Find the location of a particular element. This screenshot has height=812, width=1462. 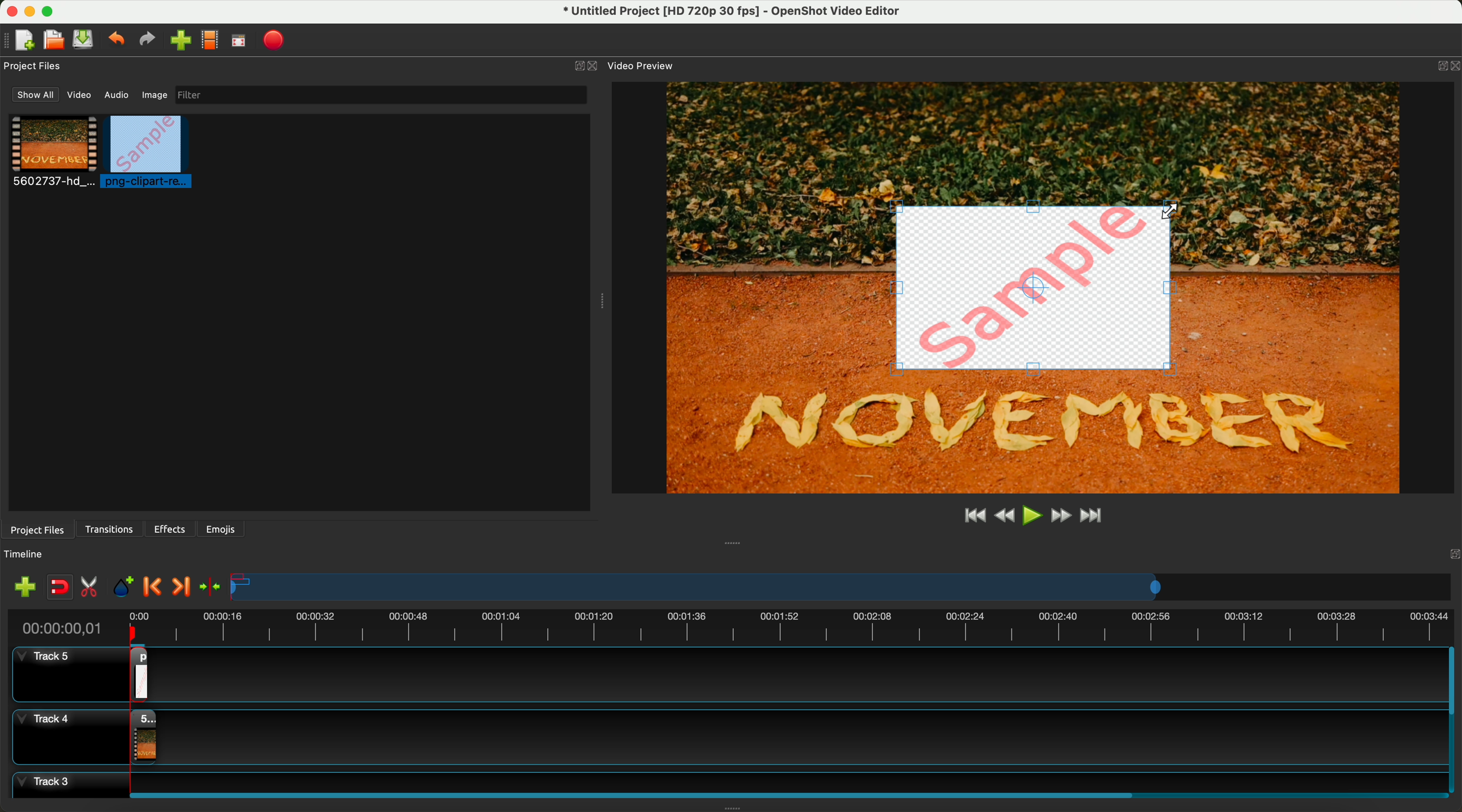

enable razor is located at coordinates (92, 589).